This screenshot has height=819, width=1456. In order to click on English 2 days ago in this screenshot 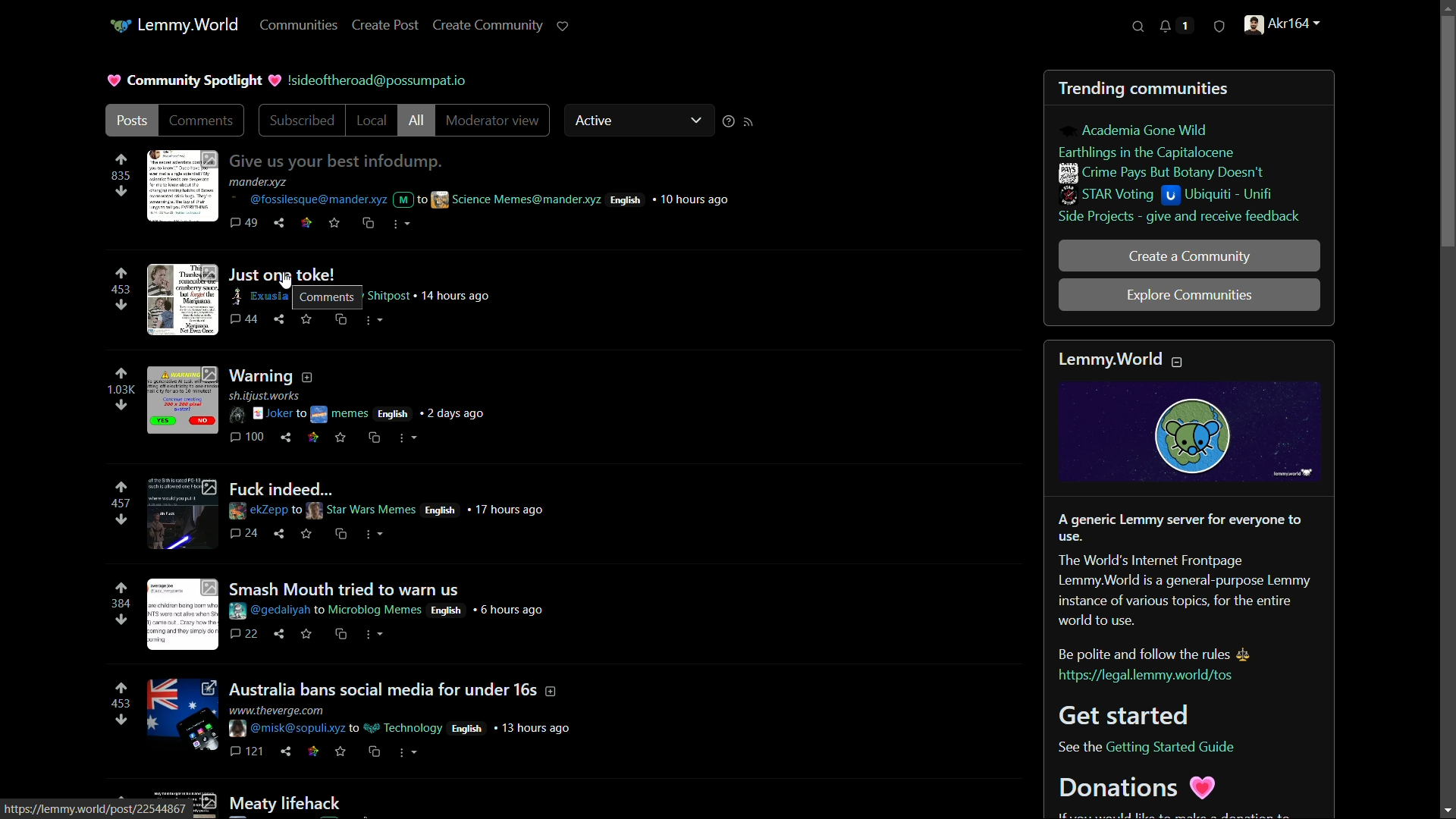, I will do `click(428, 413)`.